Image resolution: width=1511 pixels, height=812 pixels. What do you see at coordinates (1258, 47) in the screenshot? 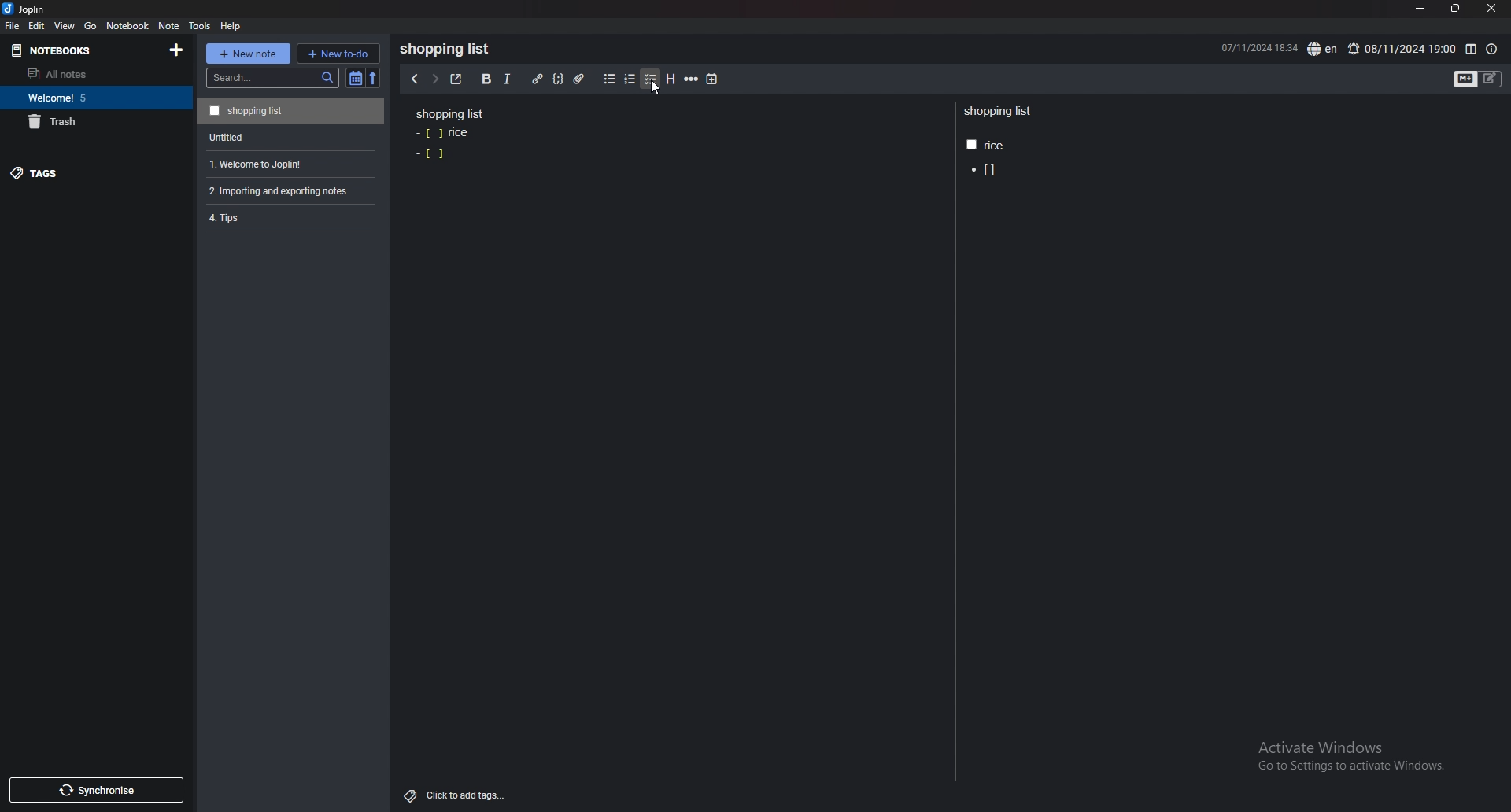
I see `07/11/2024 1833` at bounding box center [1258, 47].